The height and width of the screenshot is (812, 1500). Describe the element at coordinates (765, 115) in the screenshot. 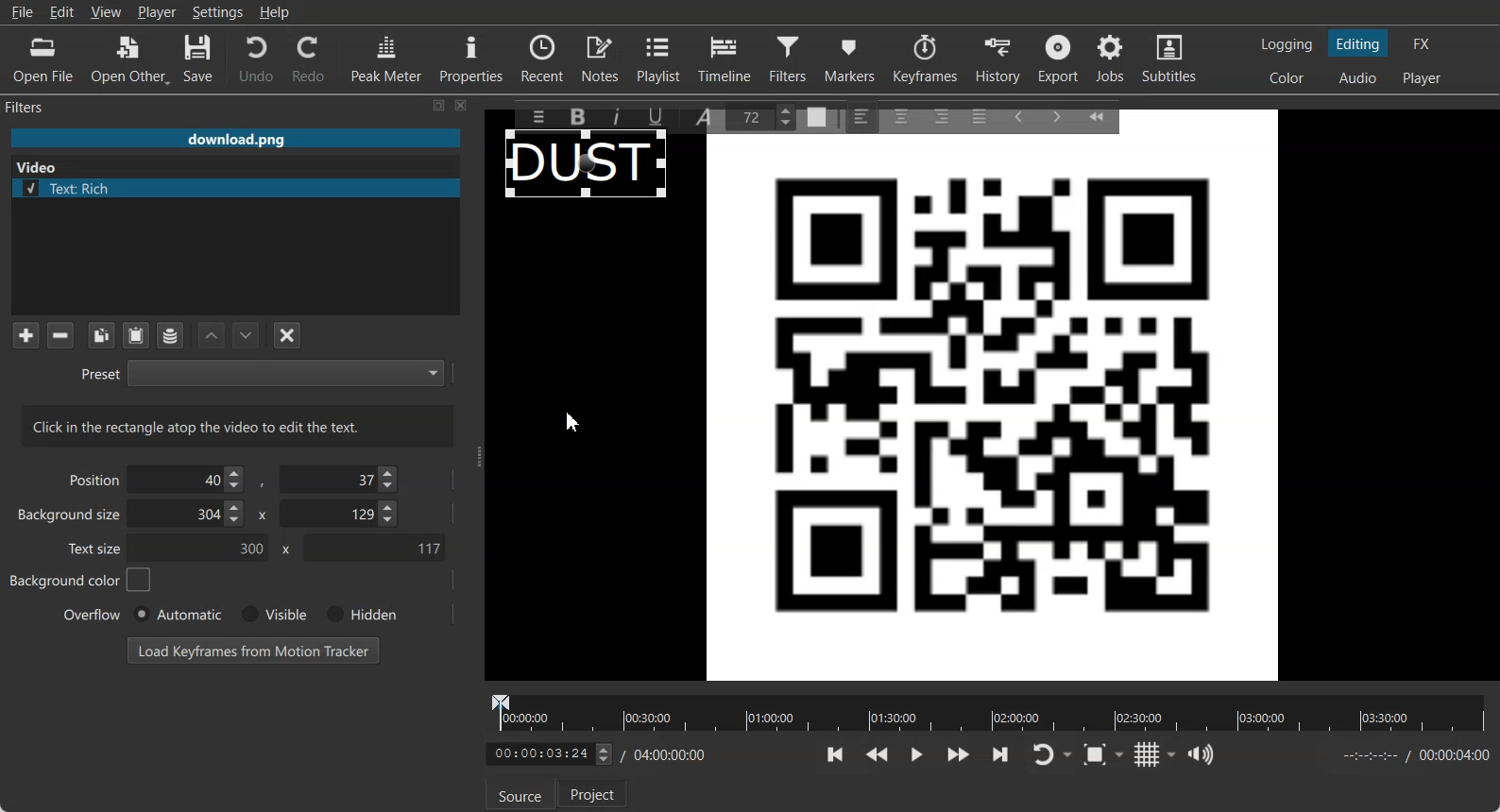

I see `Text Size` at that location.